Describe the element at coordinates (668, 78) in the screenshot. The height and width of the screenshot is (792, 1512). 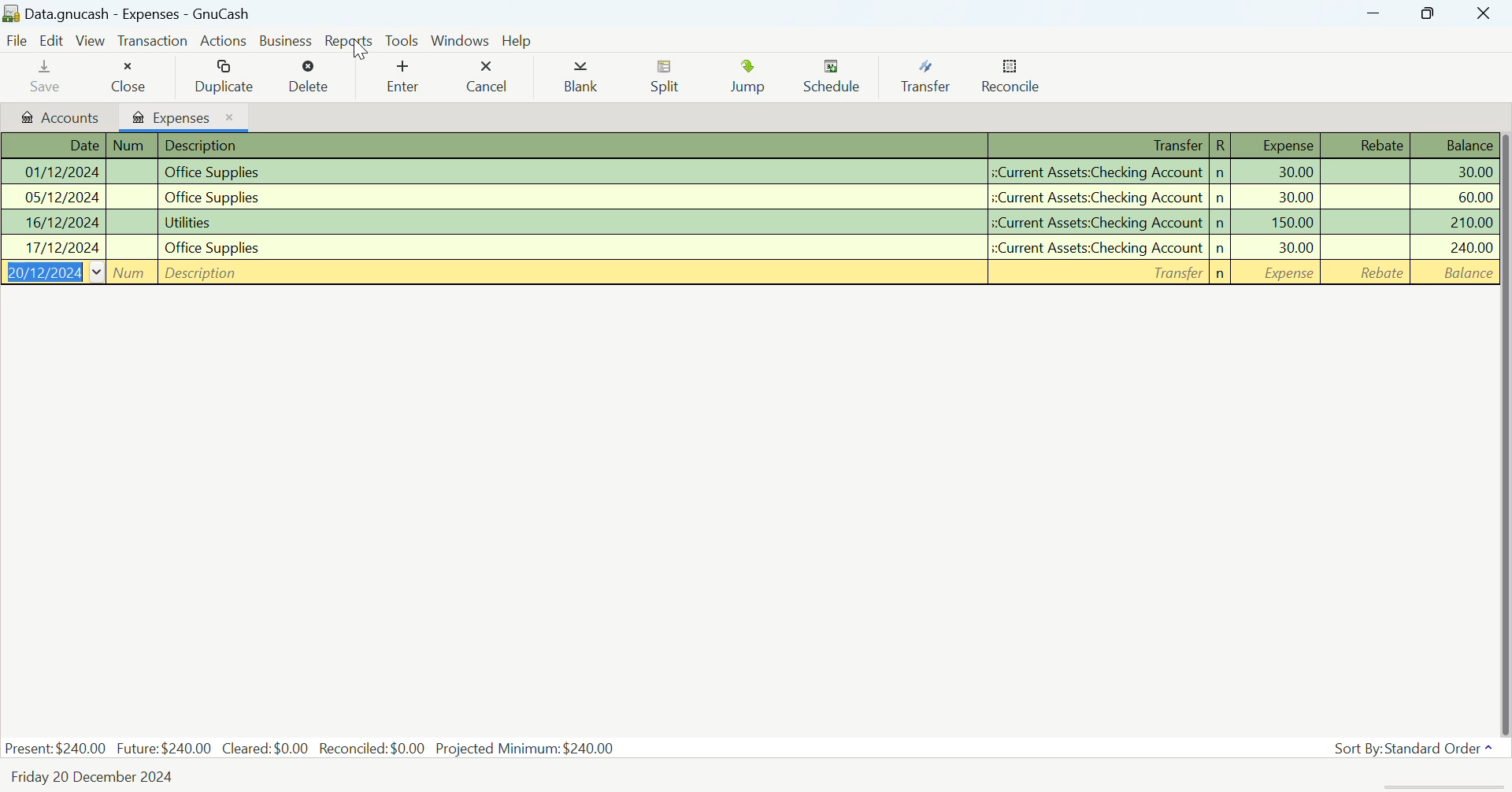
I see `Split` at that location.